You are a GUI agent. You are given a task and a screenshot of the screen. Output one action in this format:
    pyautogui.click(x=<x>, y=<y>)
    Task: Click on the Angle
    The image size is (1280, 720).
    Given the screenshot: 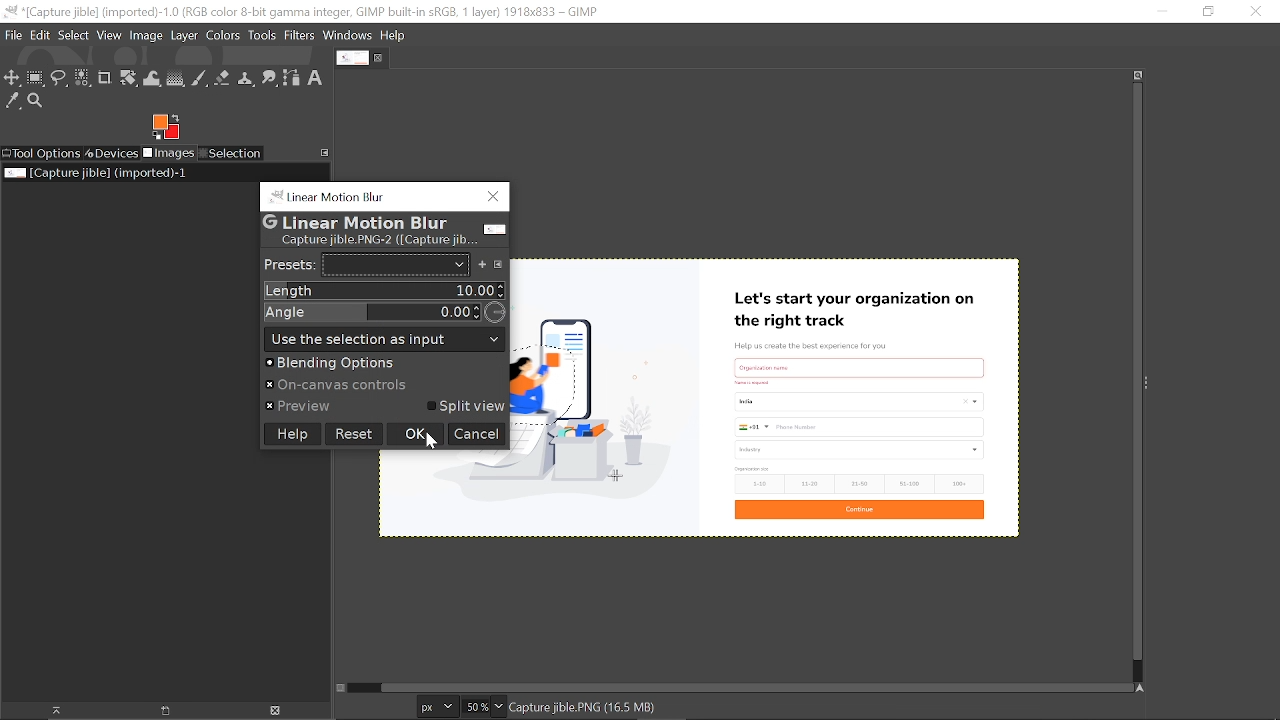 What is the action you would take?
    pyautogui.click(x=382, y=312)
    